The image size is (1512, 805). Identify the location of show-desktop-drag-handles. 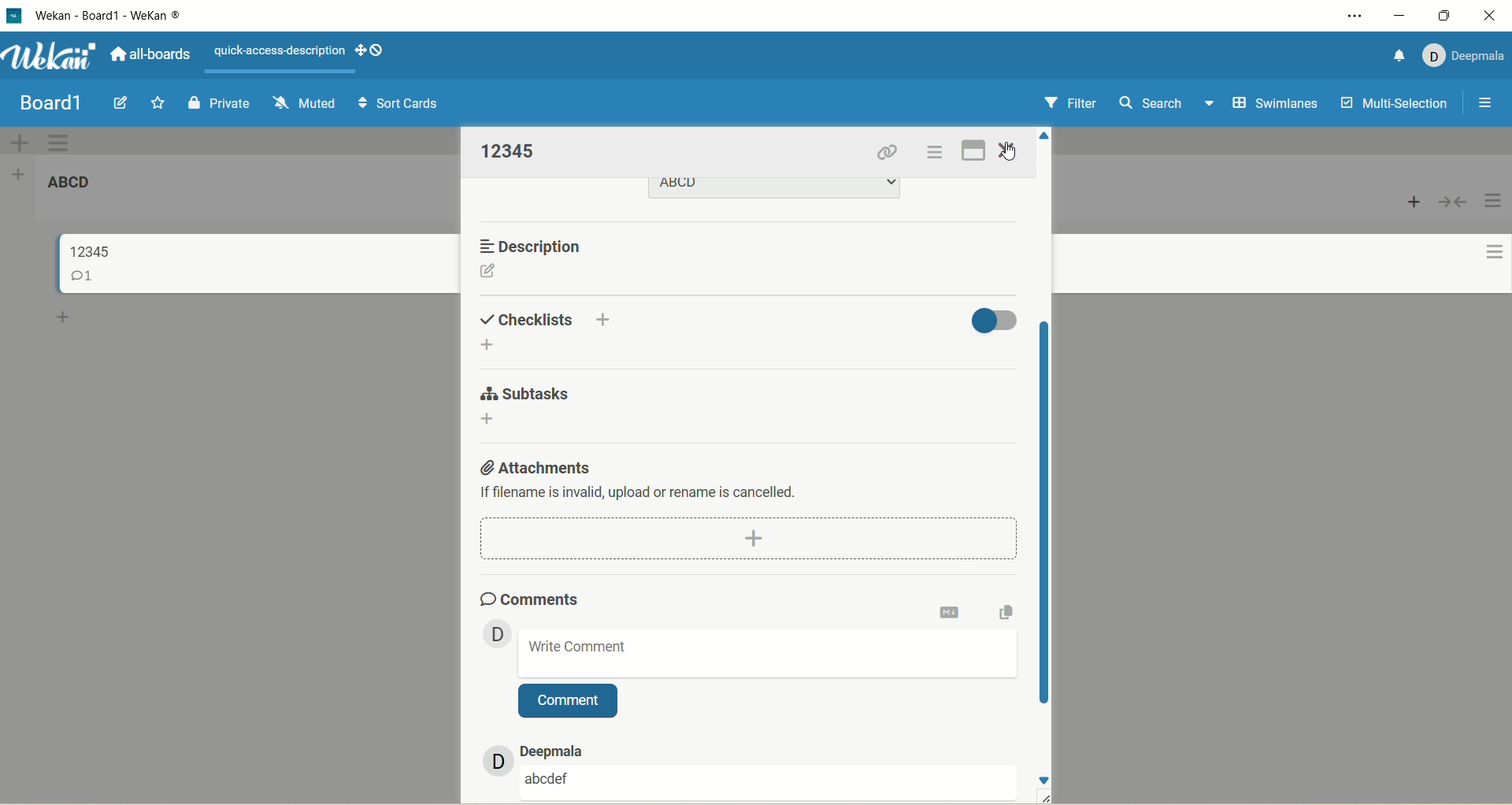
(380, 50).